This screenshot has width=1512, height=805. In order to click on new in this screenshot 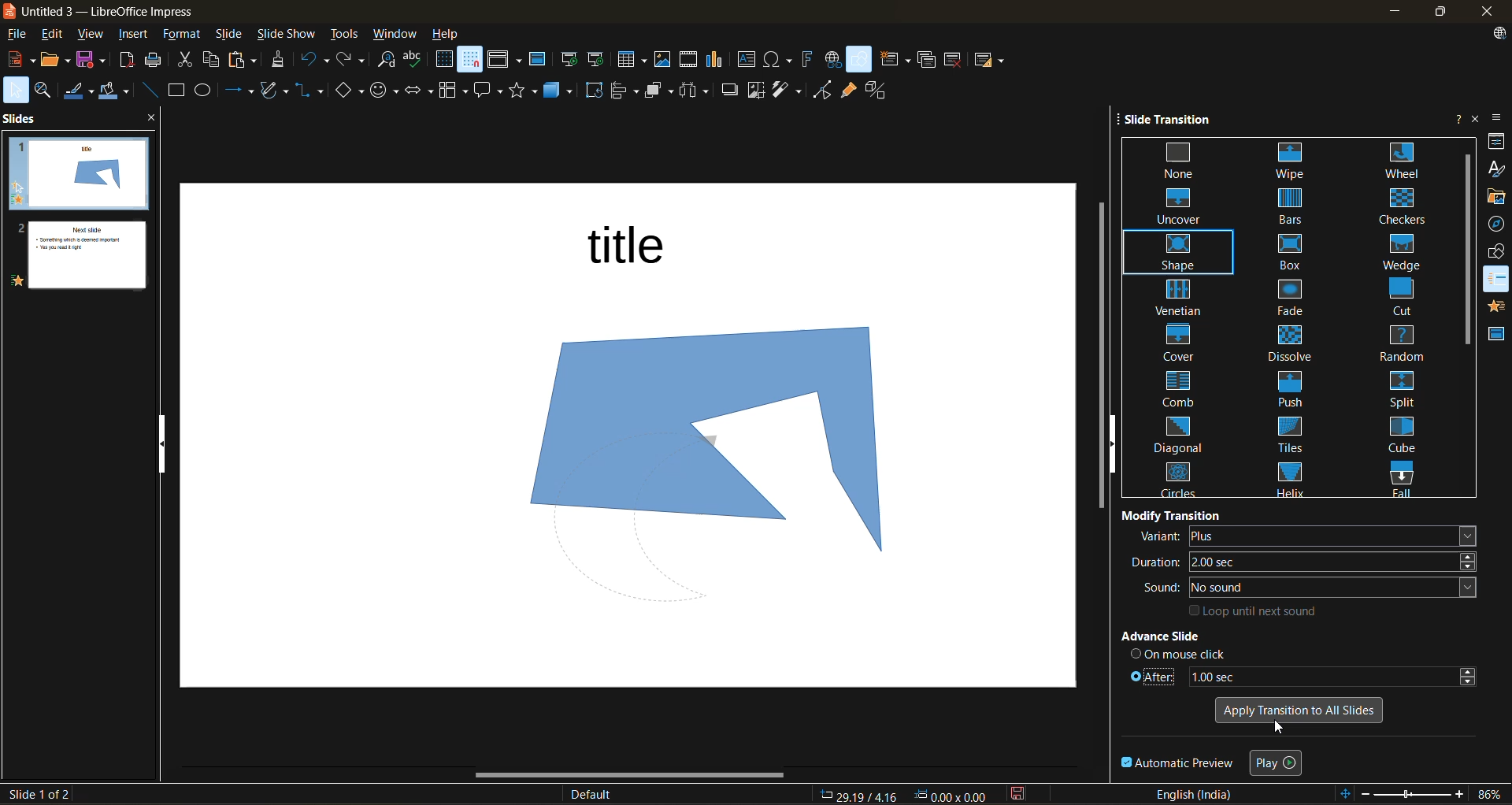, I will do `click(18, 61)`.